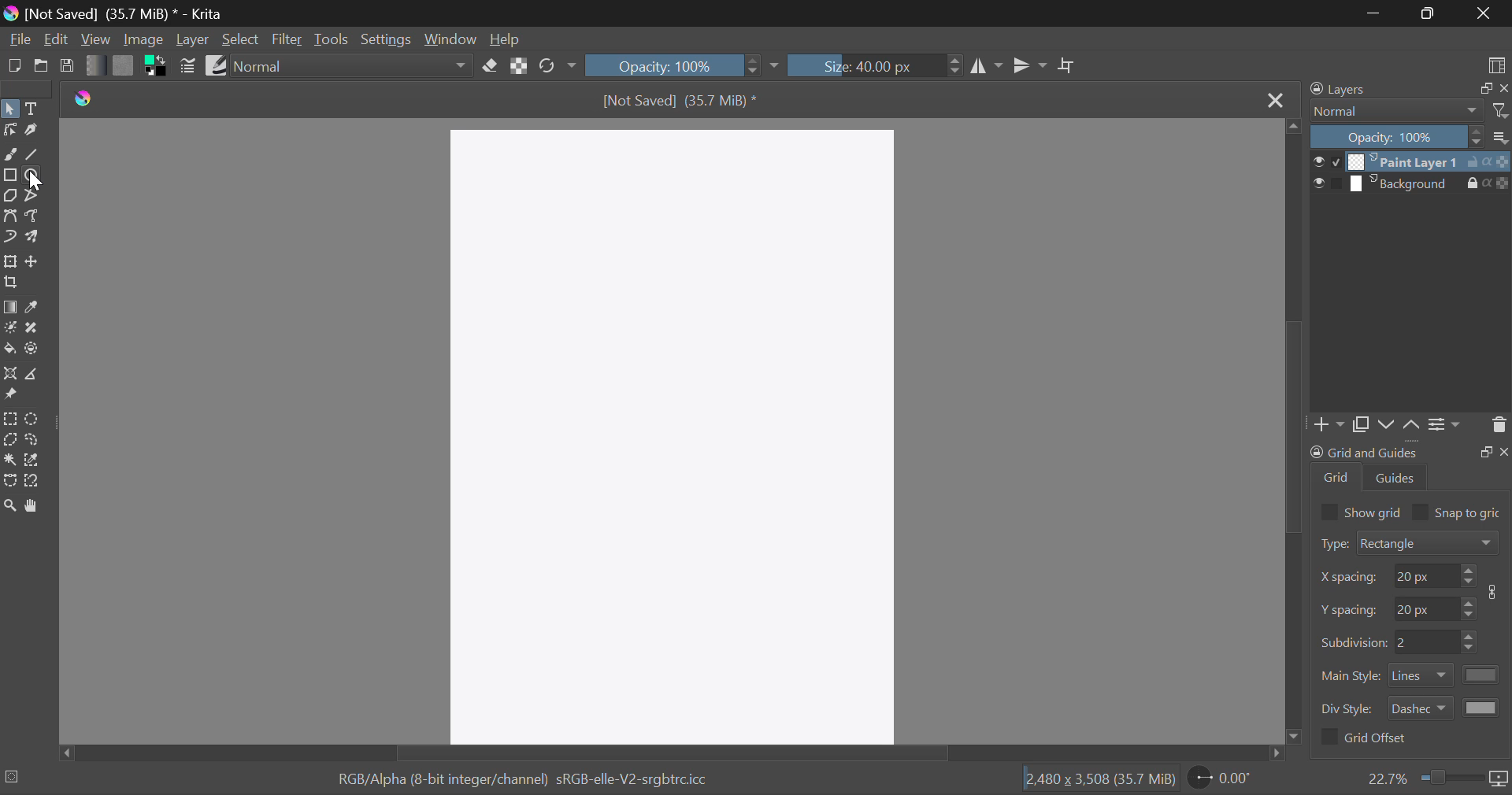 Image resolution: width=1512 pixels, height=795 pixels. I want to click on Select, so click(241, 39).